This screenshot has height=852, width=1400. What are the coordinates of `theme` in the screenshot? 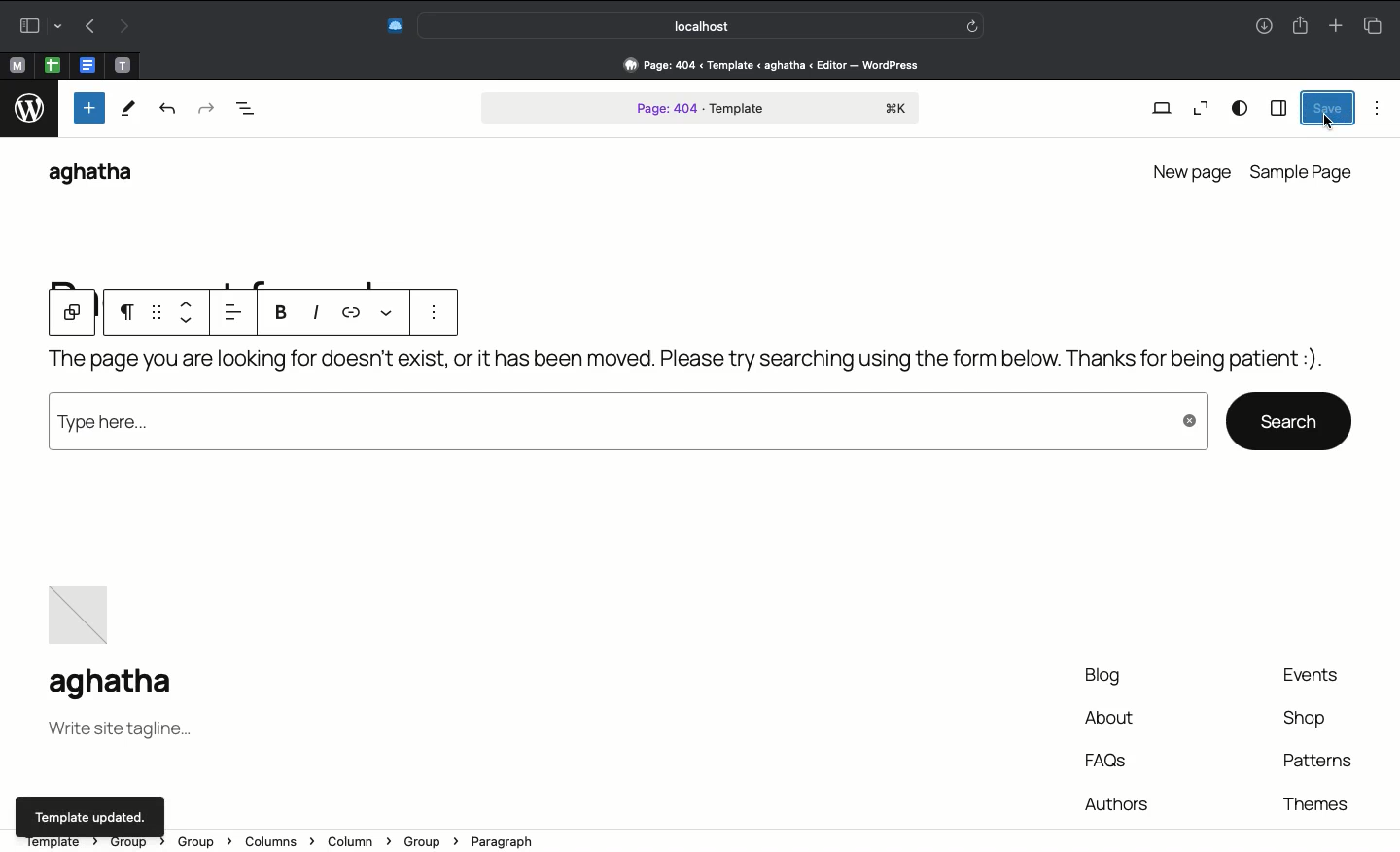 It's located at (1313, 800).